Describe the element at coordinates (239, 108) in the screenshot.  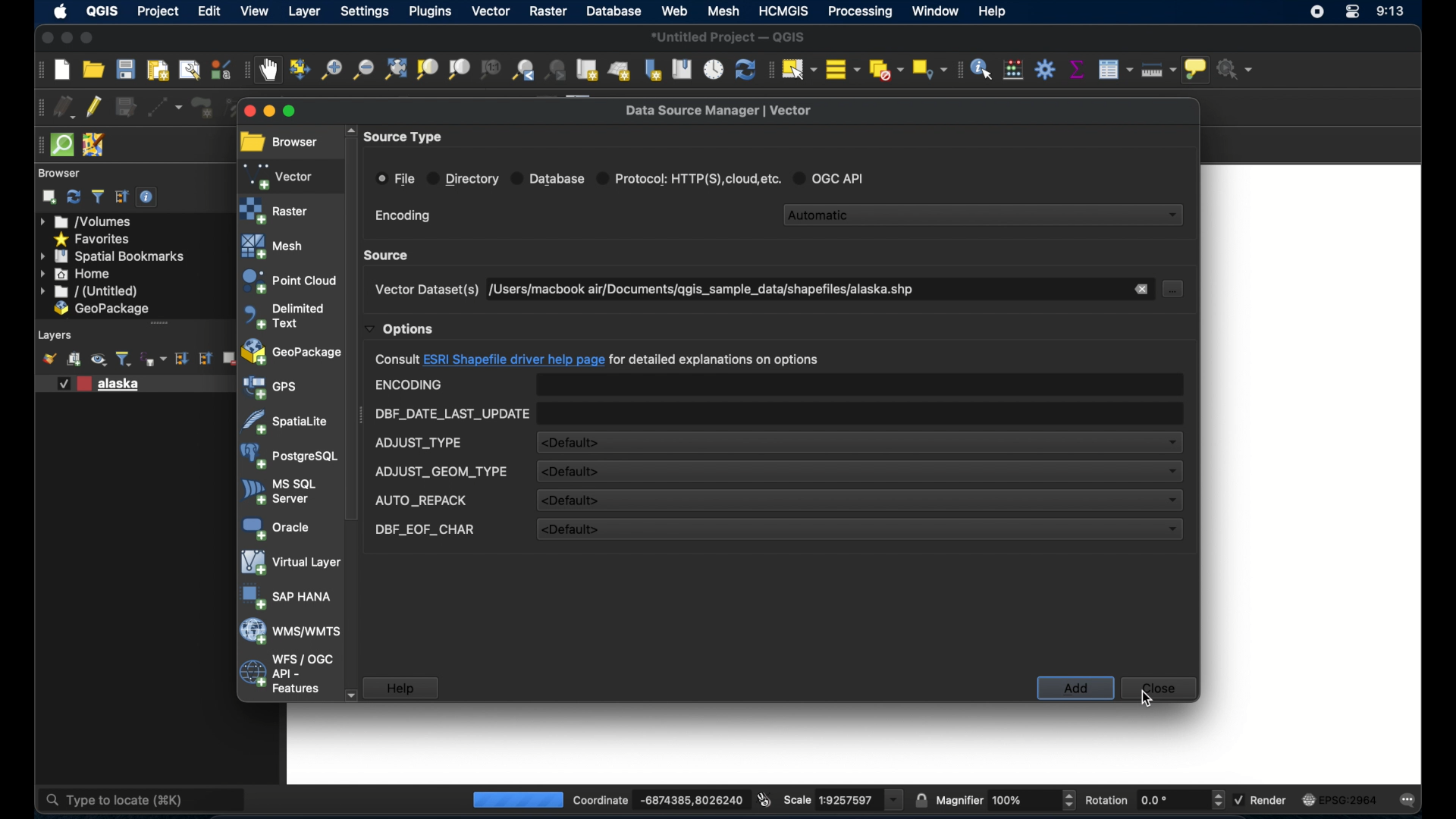
I see `vertex tool` at that location.